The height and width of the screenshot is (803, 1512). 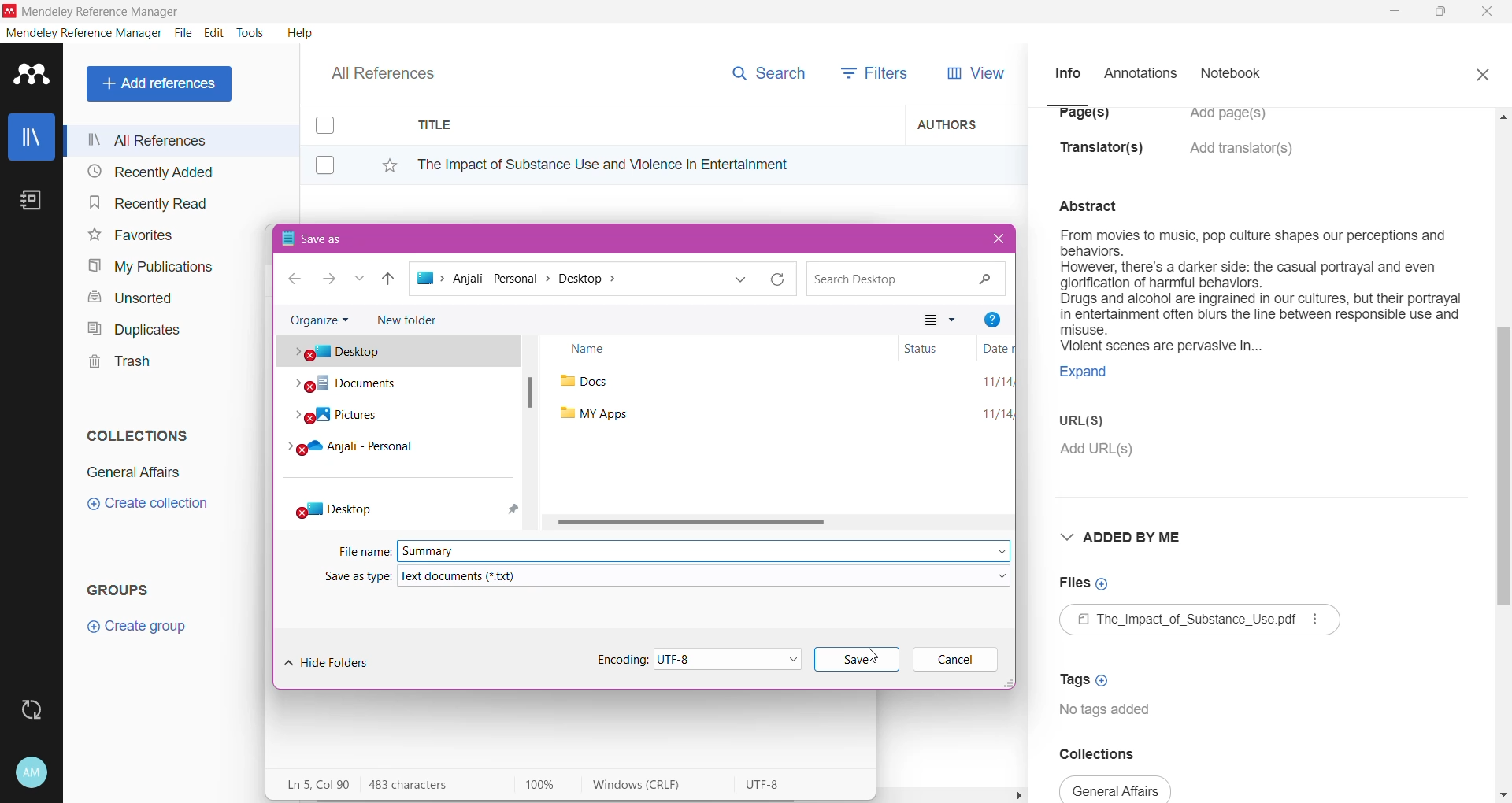 What do you see at coordinates (548, 785) in the screenshot?
I see `Zoom Level` at bounding box center [548, 785].